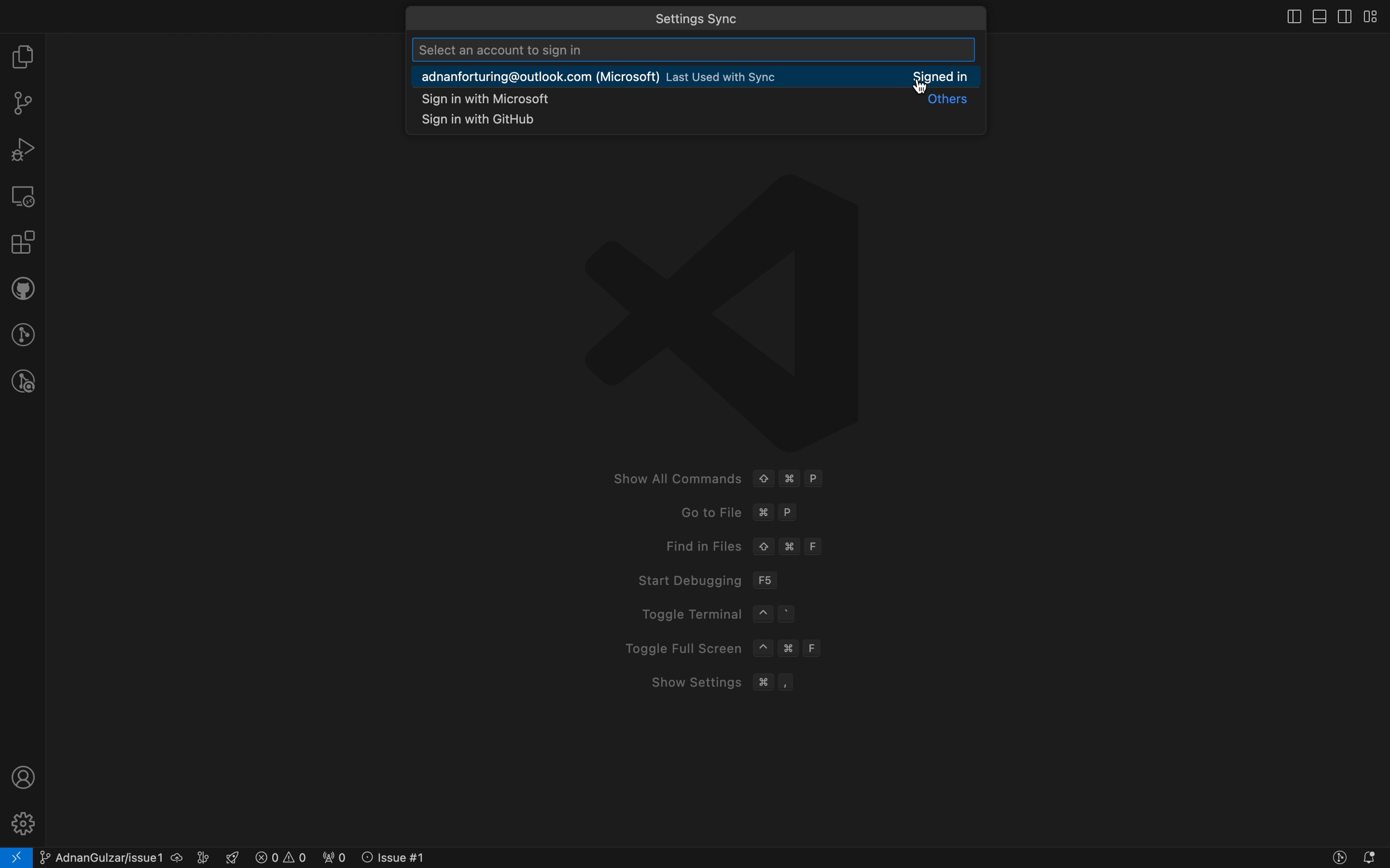  Describe the element at coordinates (921, 88) in the screenshot. I see `cursor` at that location.